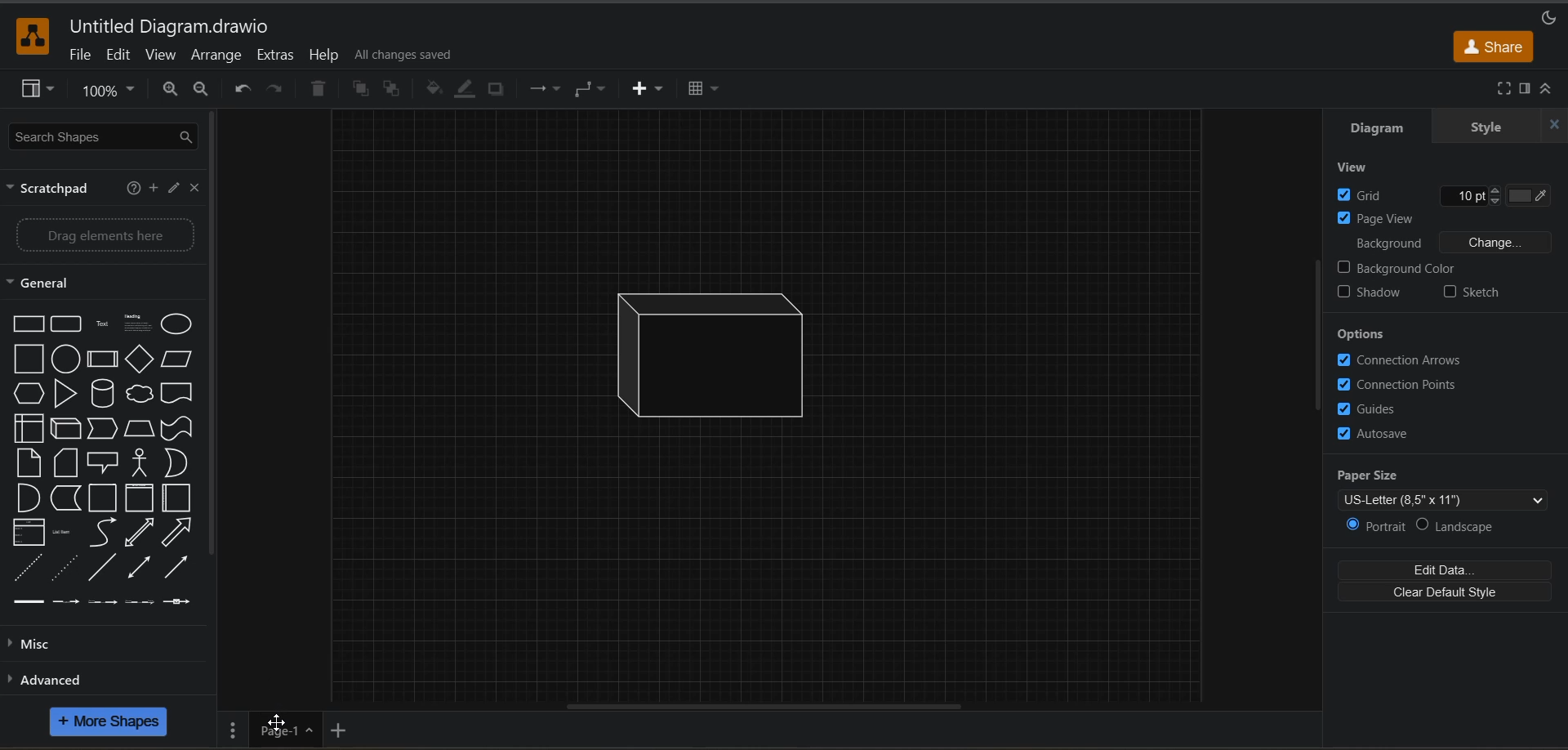 The height and width of the screenshot is (750, 1568). What do you see at coordinates (171, 91) in the screenshot?
I see `zoom in` at bounding box center [171, 91].